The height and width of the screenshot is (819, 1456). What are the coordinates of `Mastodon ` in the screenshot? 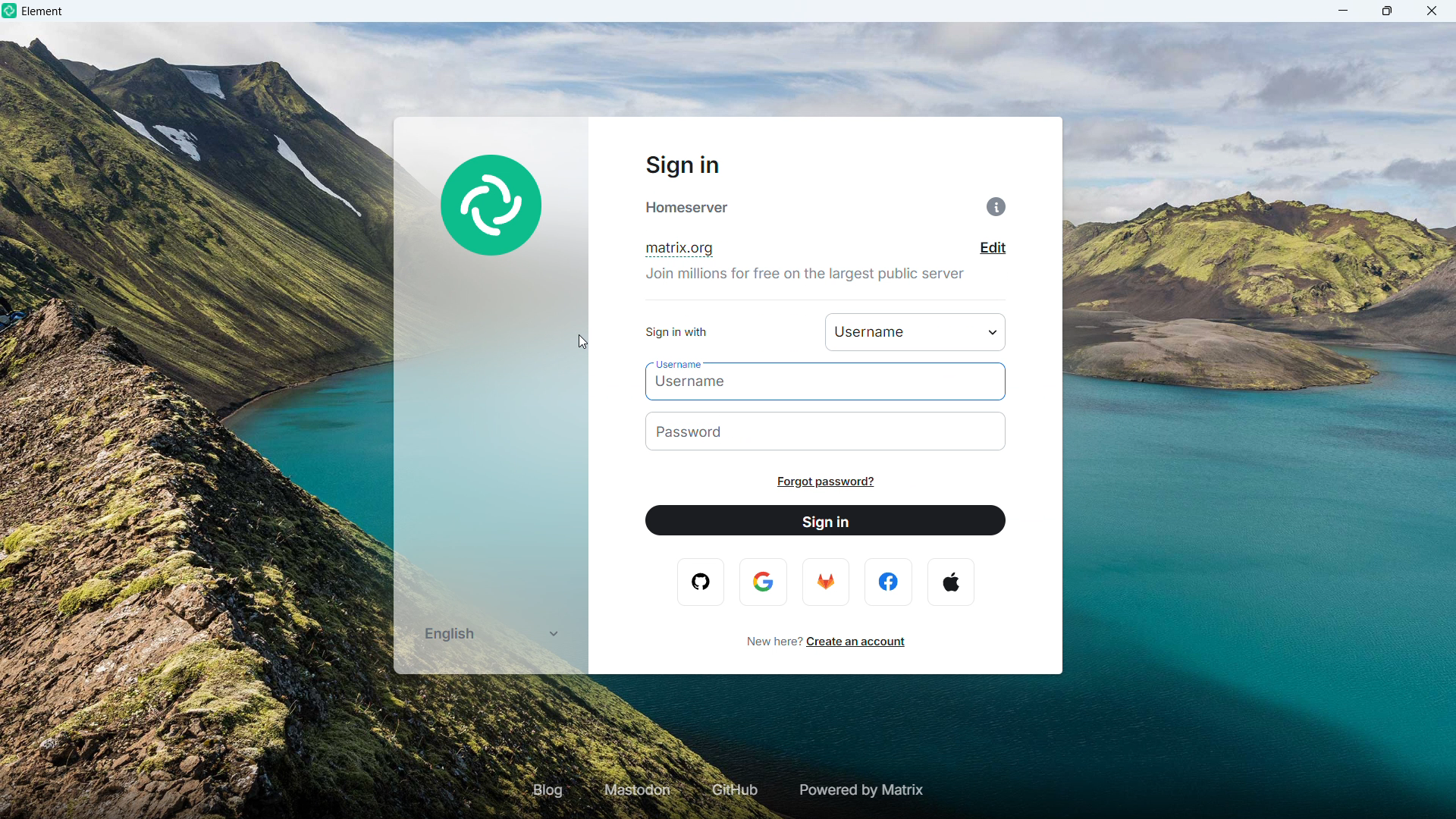 It's located at (639, 790).